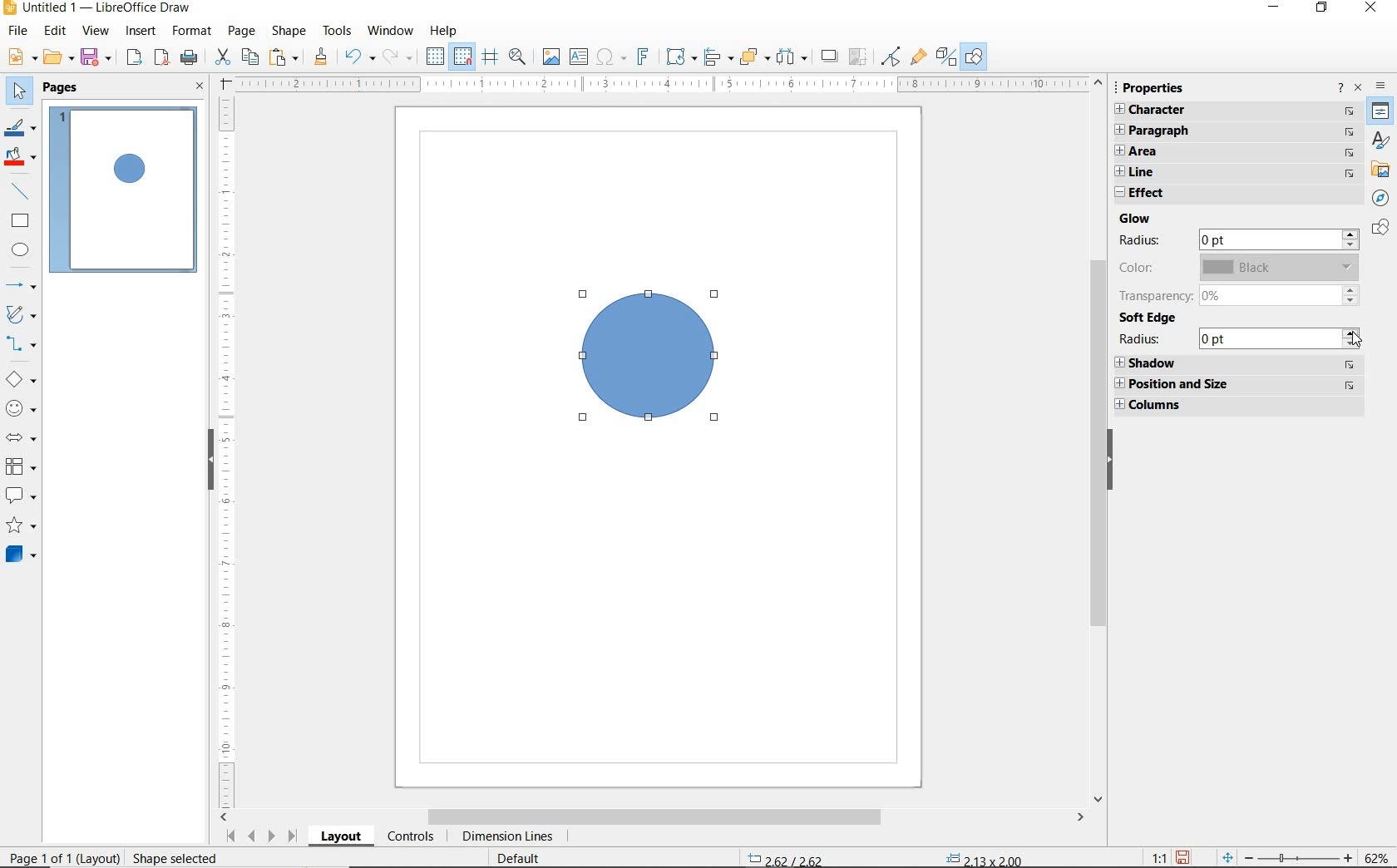 This screenshot has height=868, width=1397. I want to click on navigate, so click(1349, 170).